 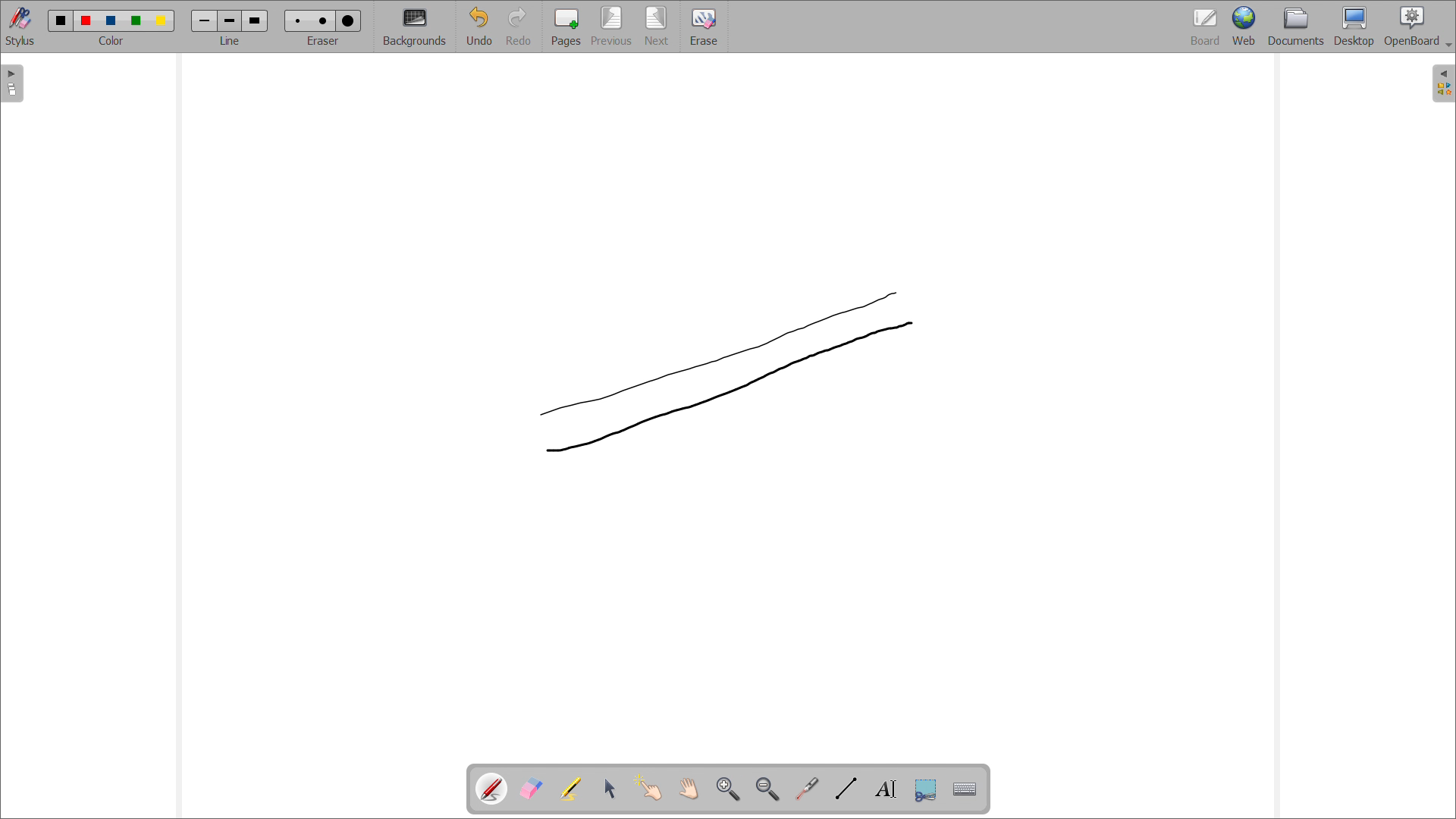 I want to click on draw text, so click(x=887, y=789).